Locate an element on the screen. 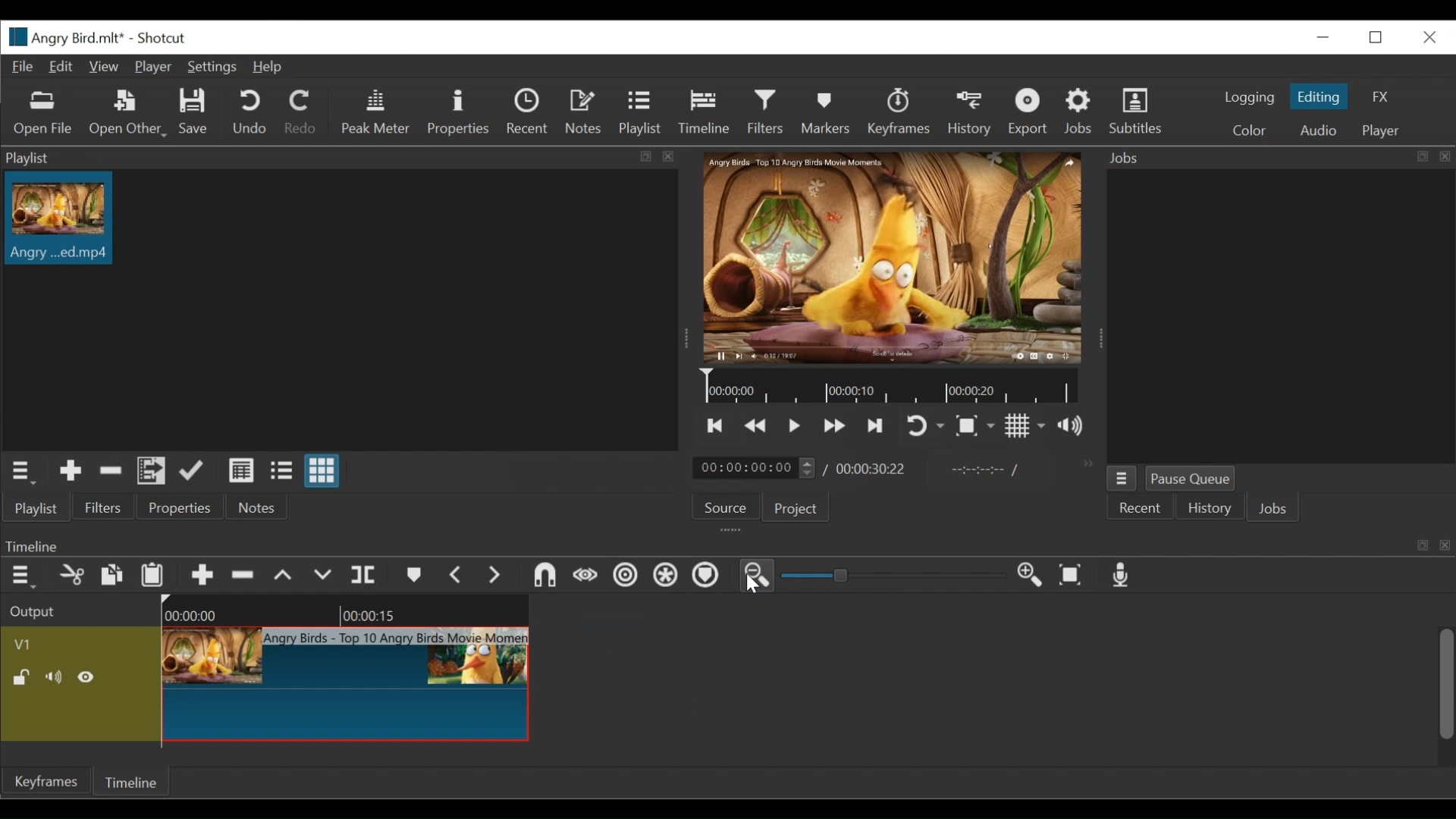 The width and height of the screenshot is (1456, 819). Output is located at coordinates (35, 610).